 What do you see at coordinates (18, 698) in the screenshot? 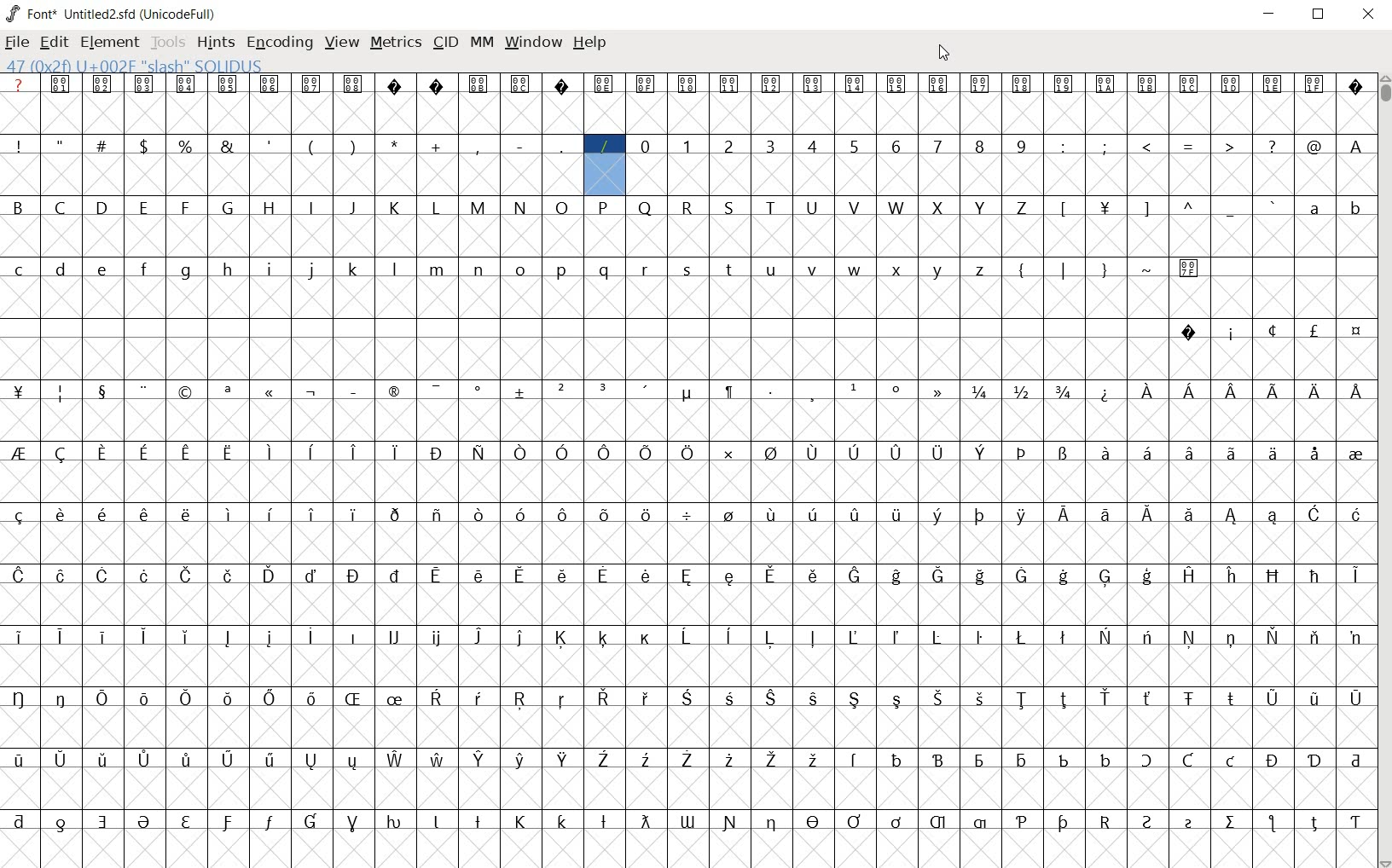
I see `glyph` at bounding box center [18, 698].